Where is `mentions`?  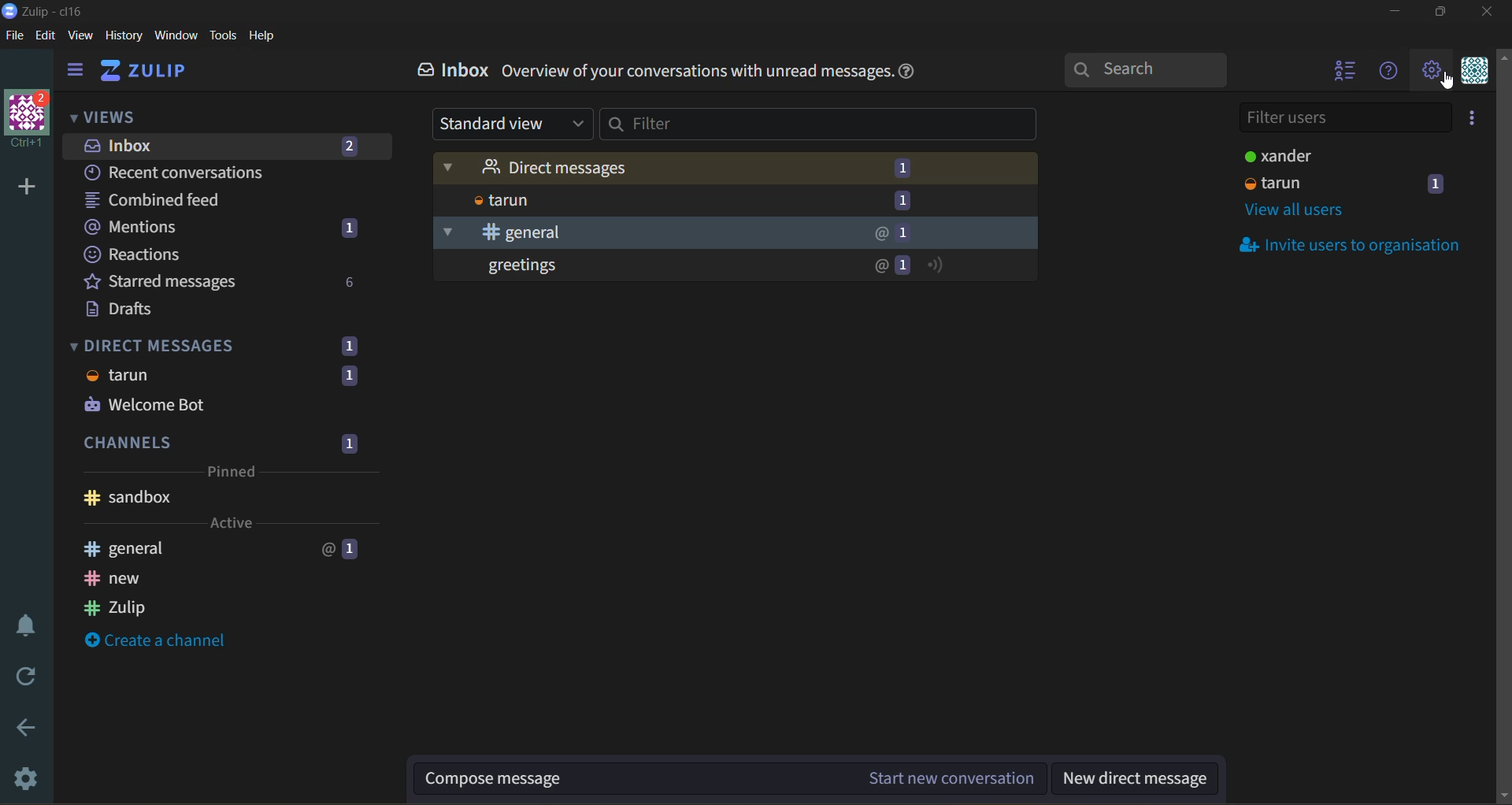 mentions is located at coordinates (227, 226).